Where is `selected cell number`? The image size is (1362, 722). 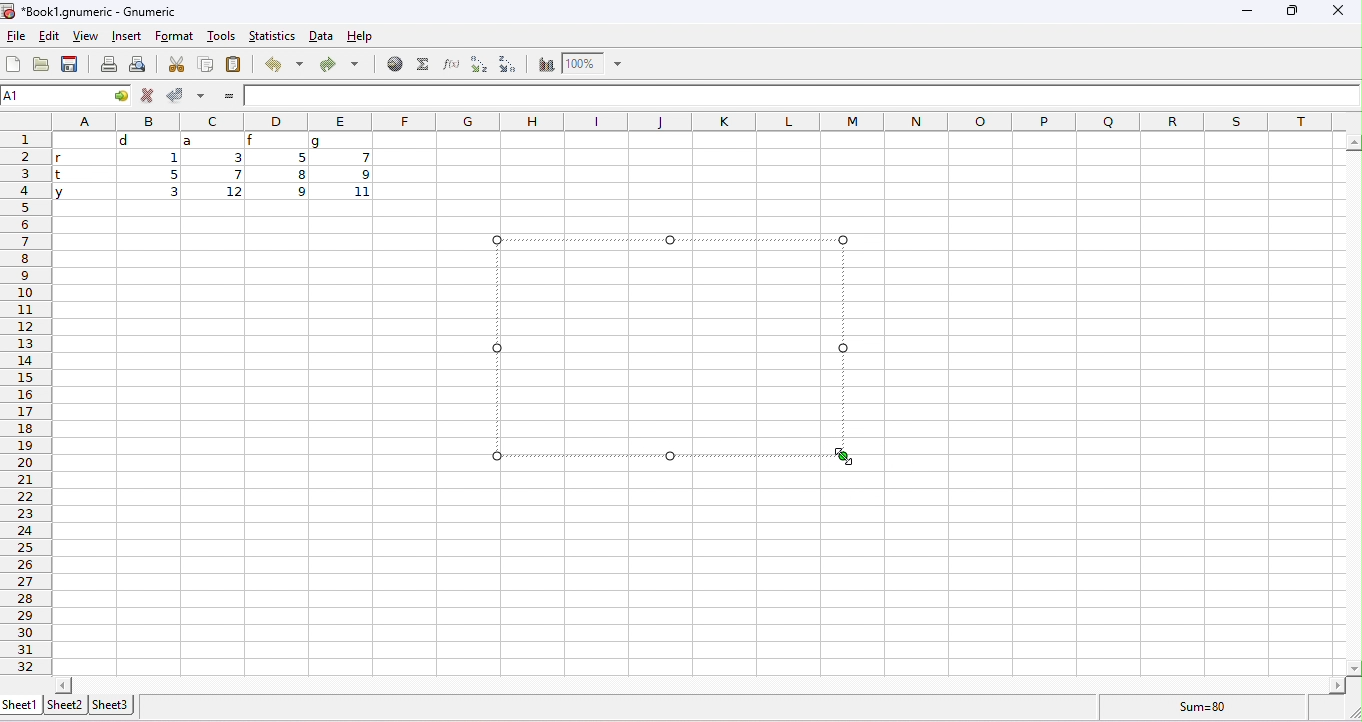 selected cell number is located at coordinates (52, 96).